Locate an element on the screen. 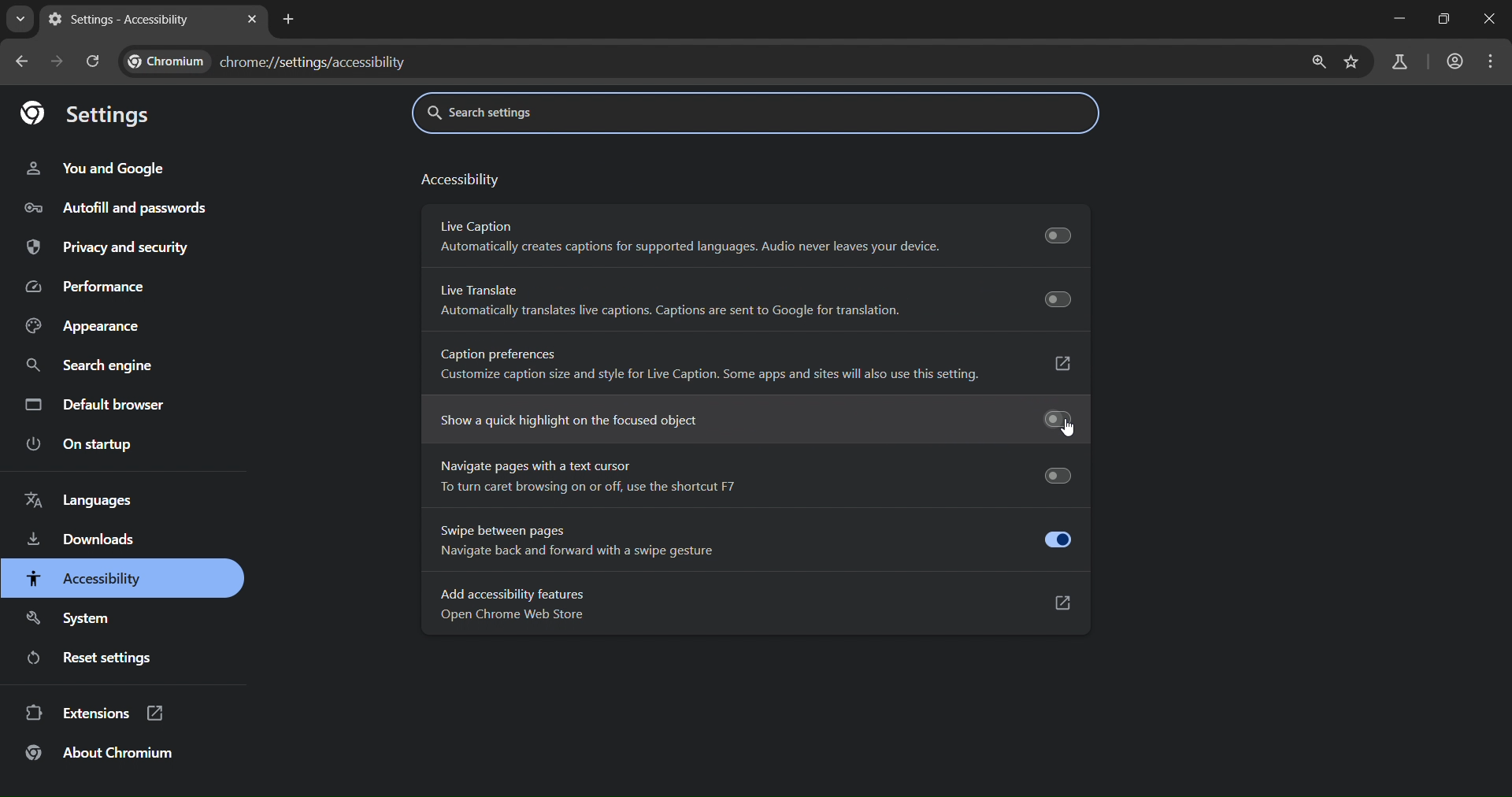  settings is located at coordinates (91, 116).